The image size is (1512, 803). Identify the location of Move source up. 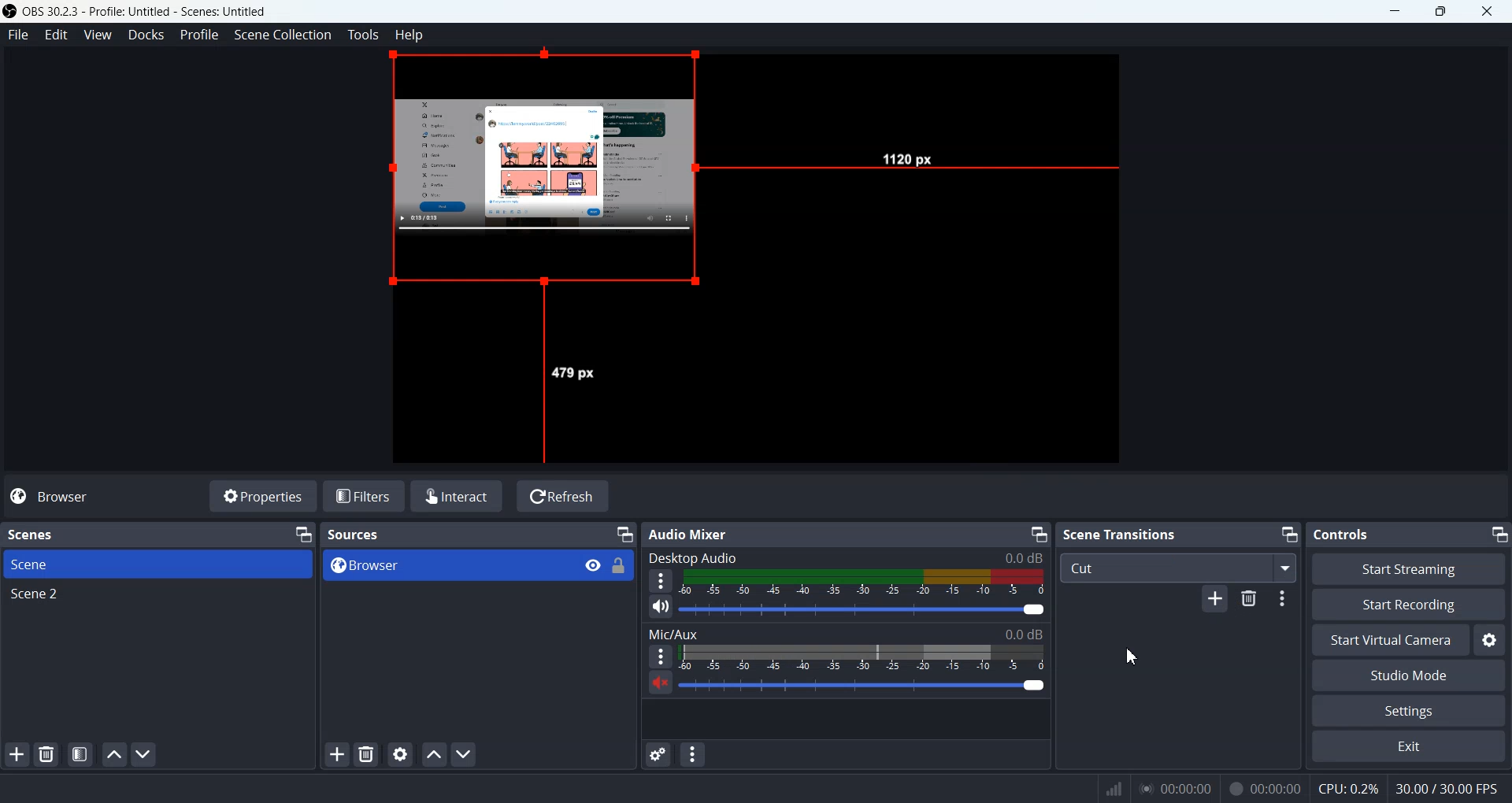
(434, 754).